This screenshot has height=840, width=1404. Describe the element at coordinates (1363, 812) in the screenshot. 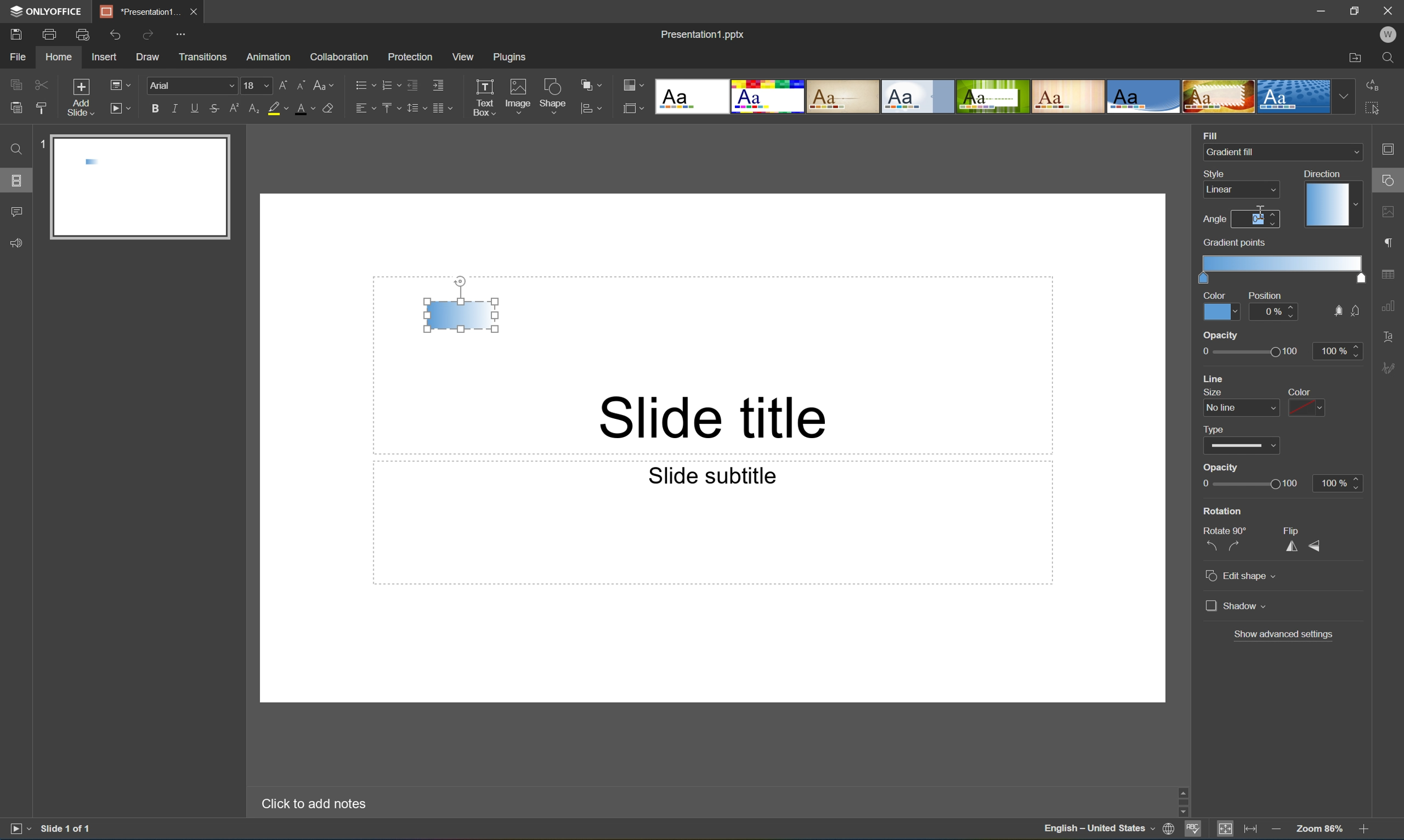

I see `Scroll Down` at that location.